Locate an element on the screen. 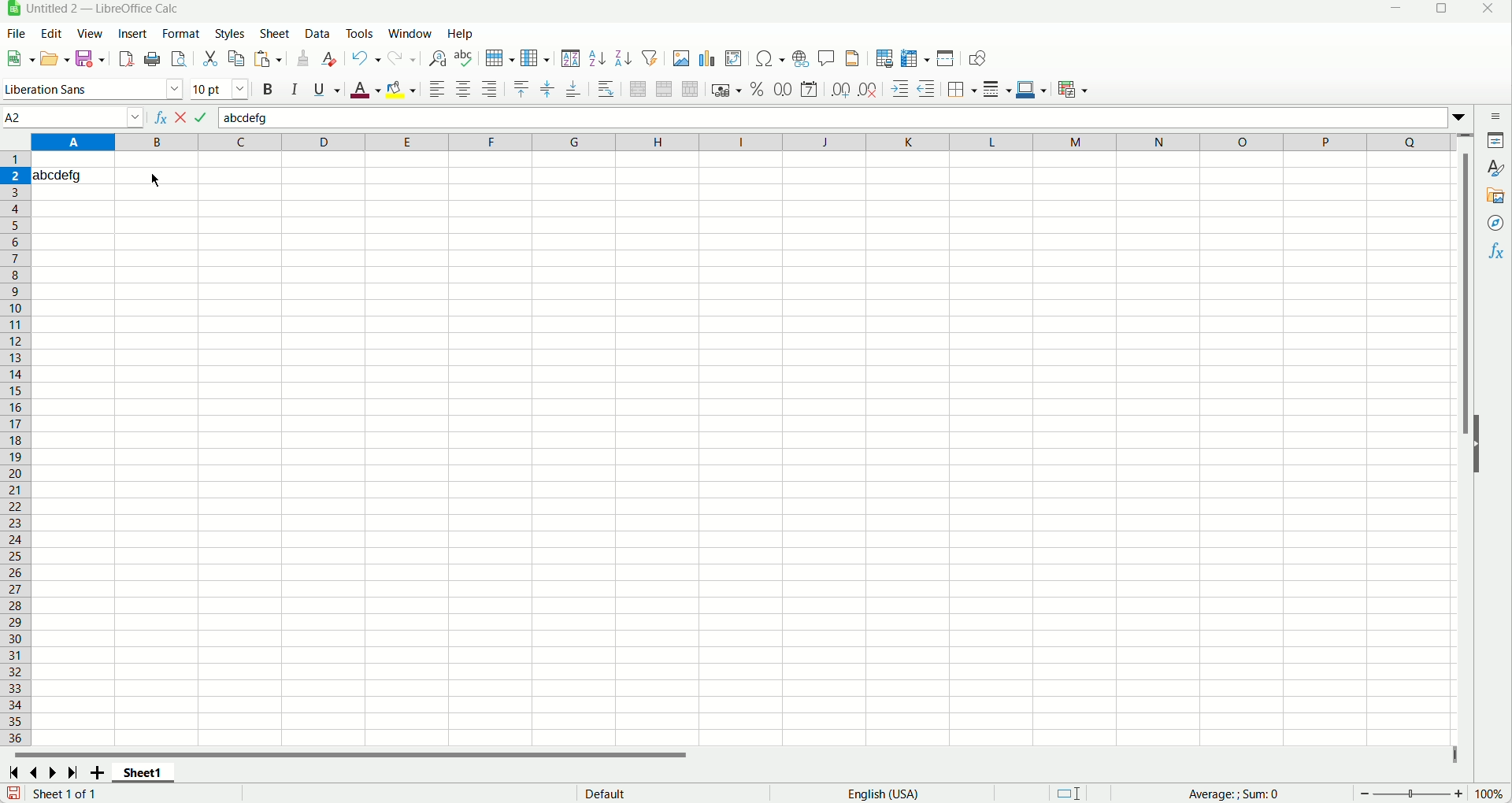  background color is located at coordinates (402, 89).